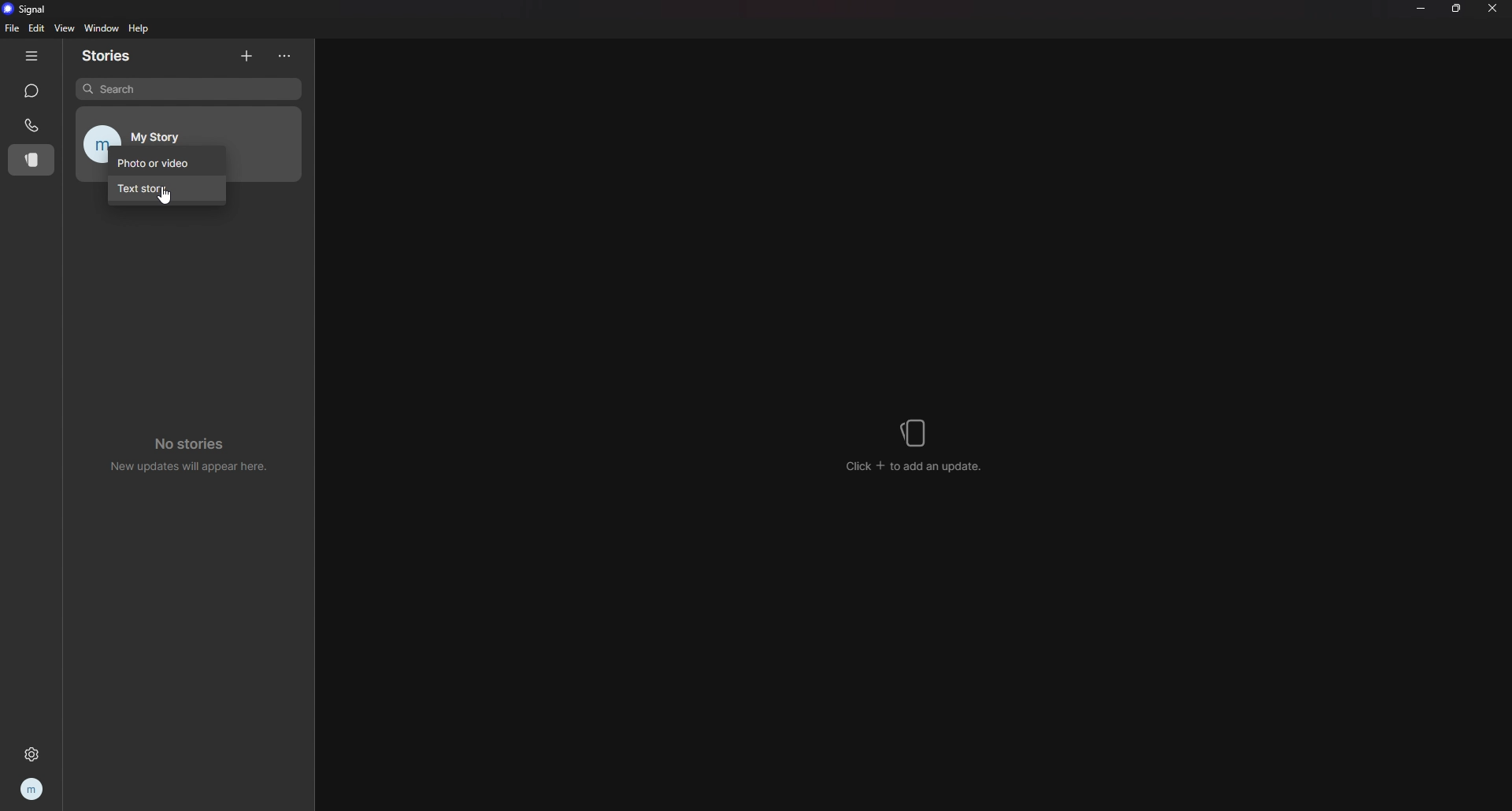  I want to click on text story, so click(165, 190).